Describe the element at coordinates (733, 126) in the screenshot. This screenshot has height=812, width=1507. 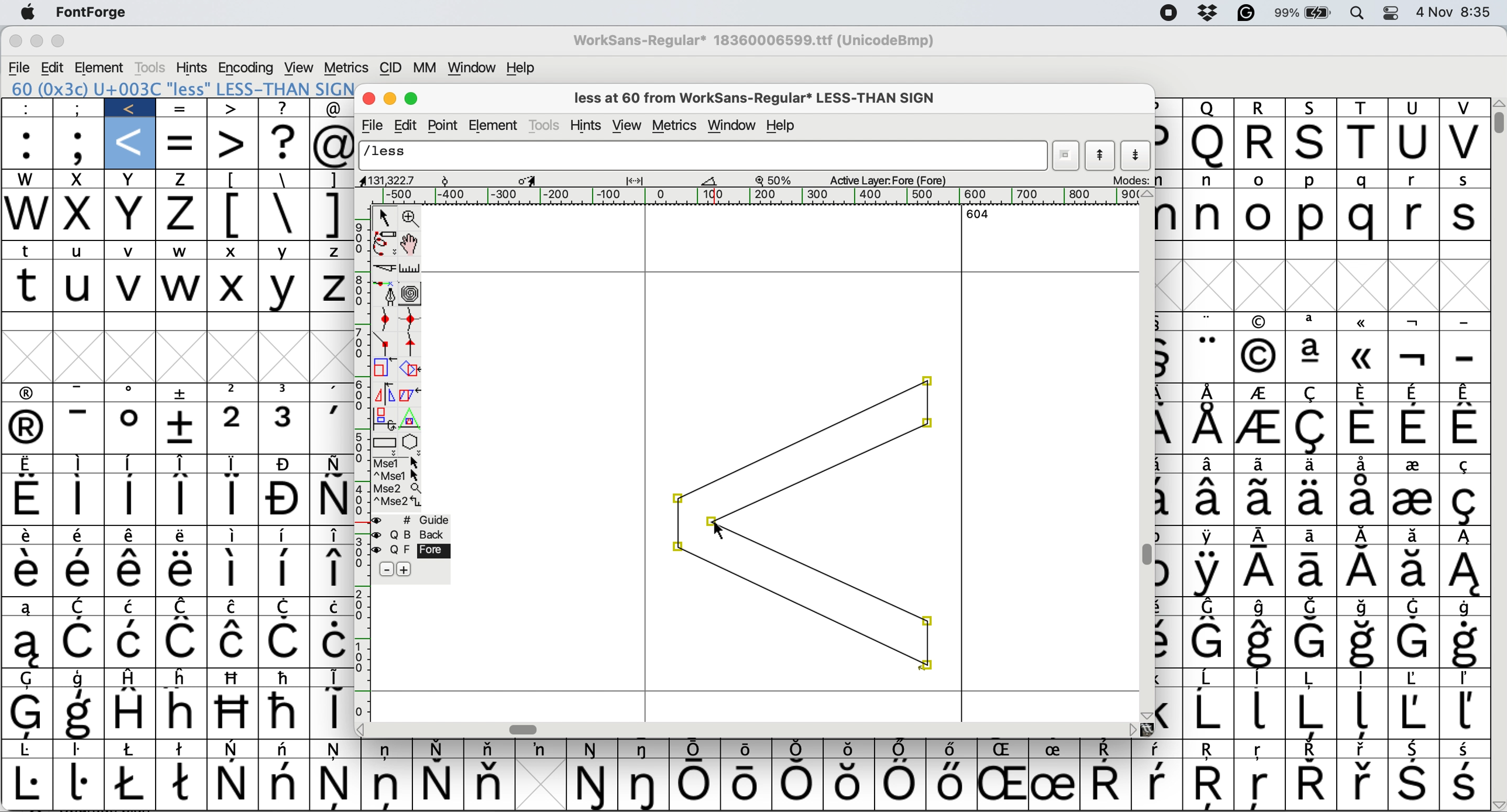
I see `window` at that location.